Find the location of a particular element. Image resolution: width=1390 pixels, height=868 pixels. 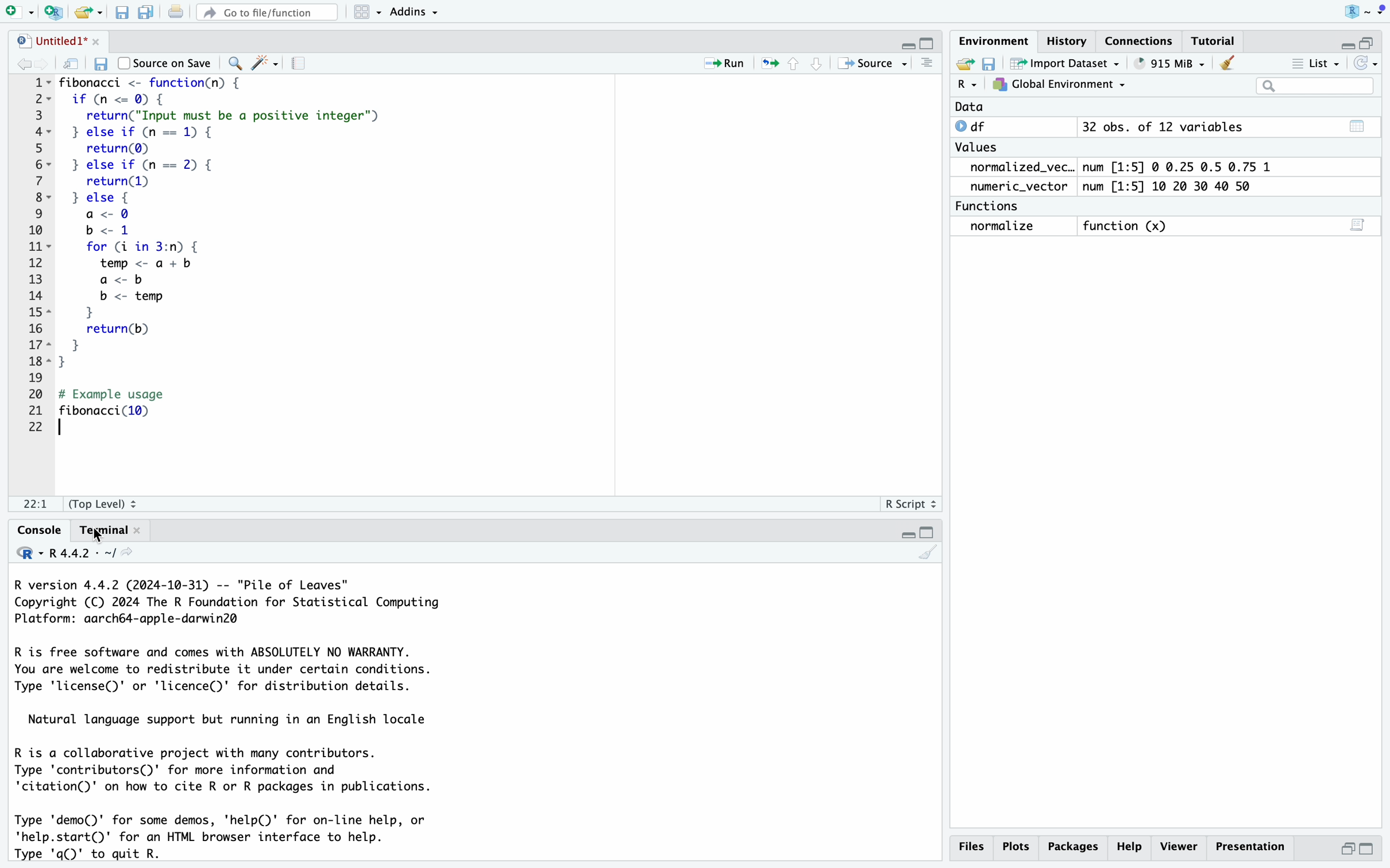

minimize is located at coordinates (1344, 41).